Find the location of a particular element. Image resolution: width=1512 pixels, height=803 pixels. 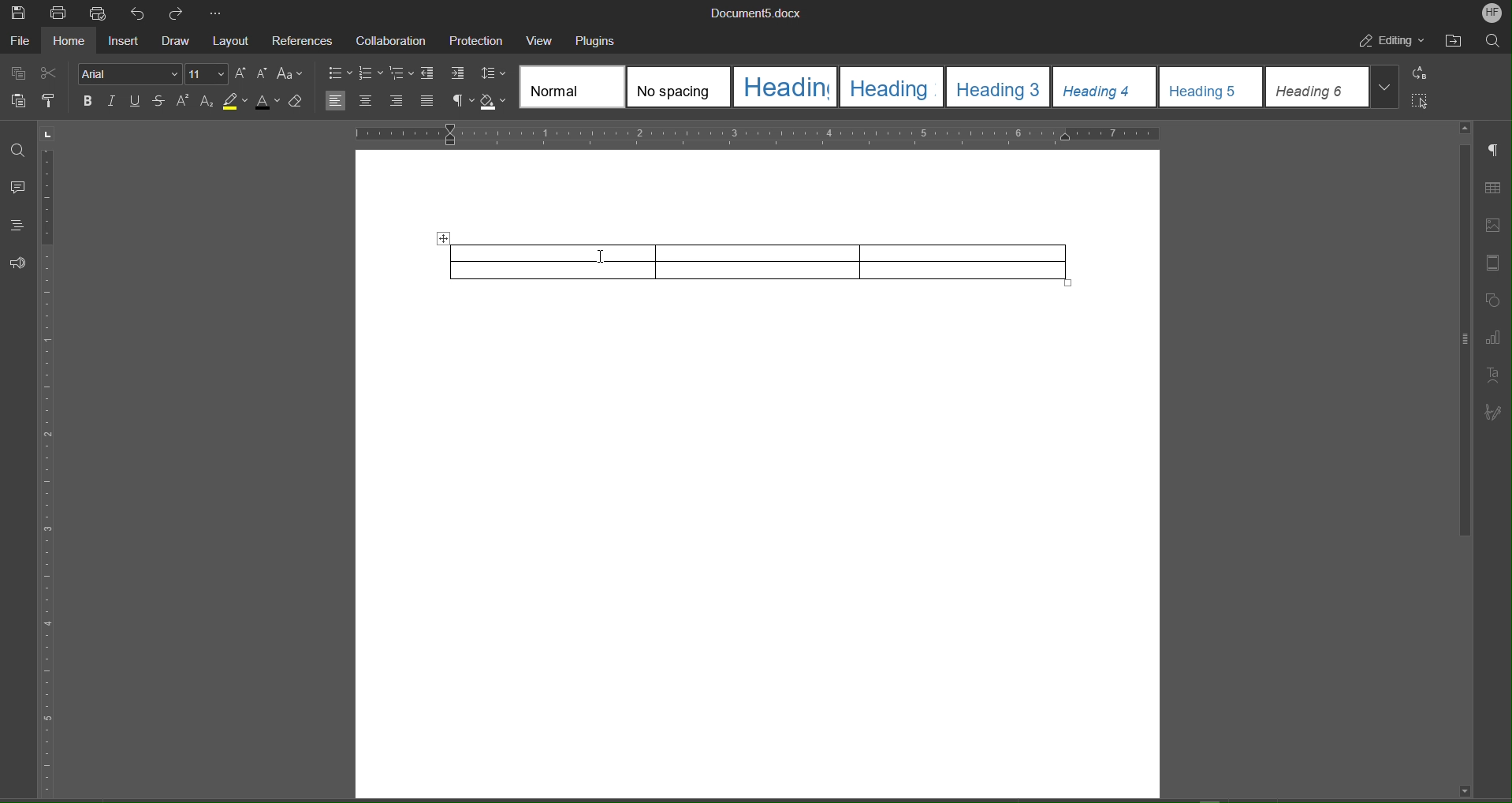

heading 4 is located at coordinates (1105, 87).